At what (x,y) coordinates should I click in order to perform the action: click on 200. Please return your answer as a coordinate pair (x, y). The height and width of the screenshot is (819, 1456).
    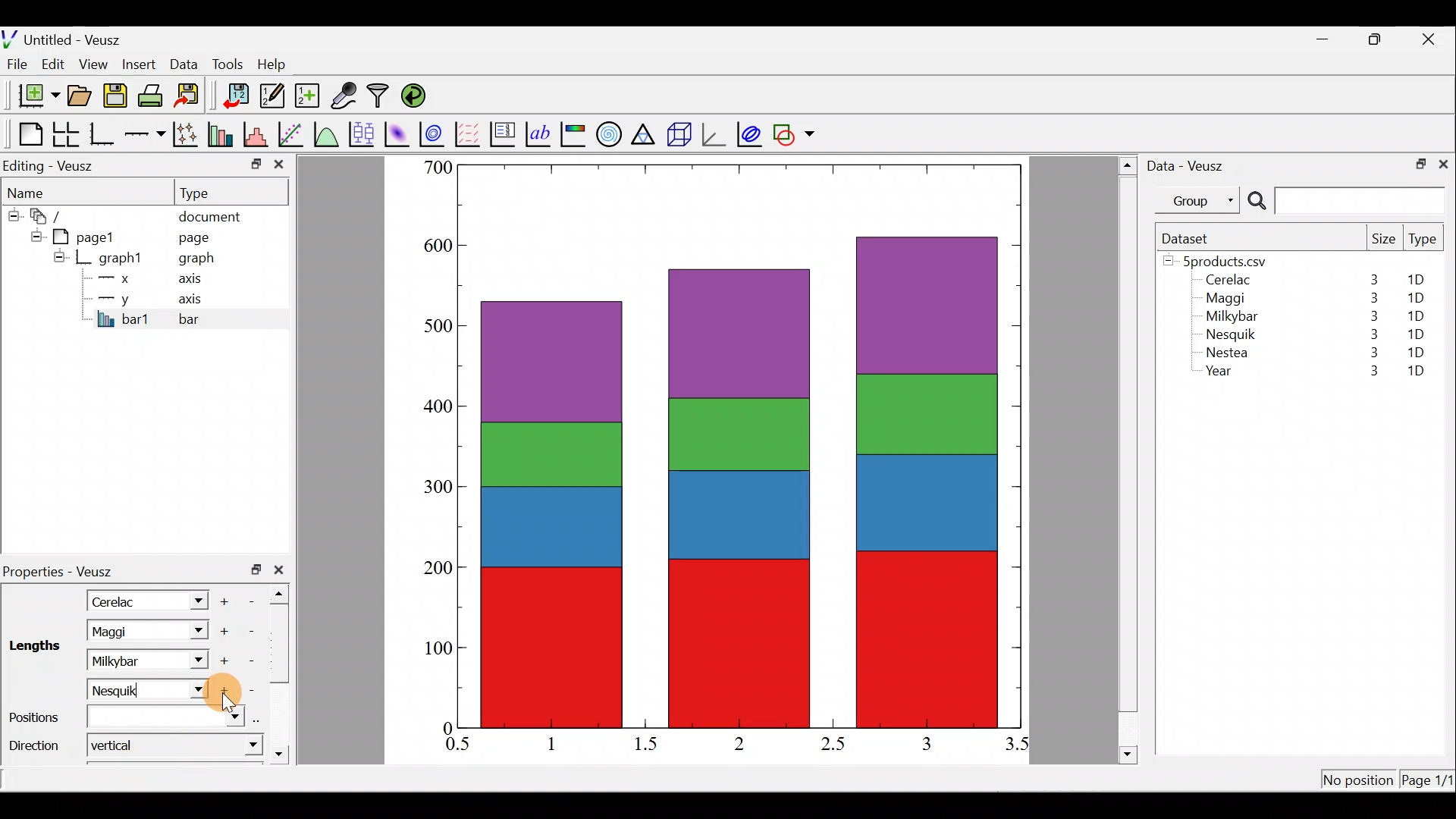
    Looking at the image, I should click on (438, 569).